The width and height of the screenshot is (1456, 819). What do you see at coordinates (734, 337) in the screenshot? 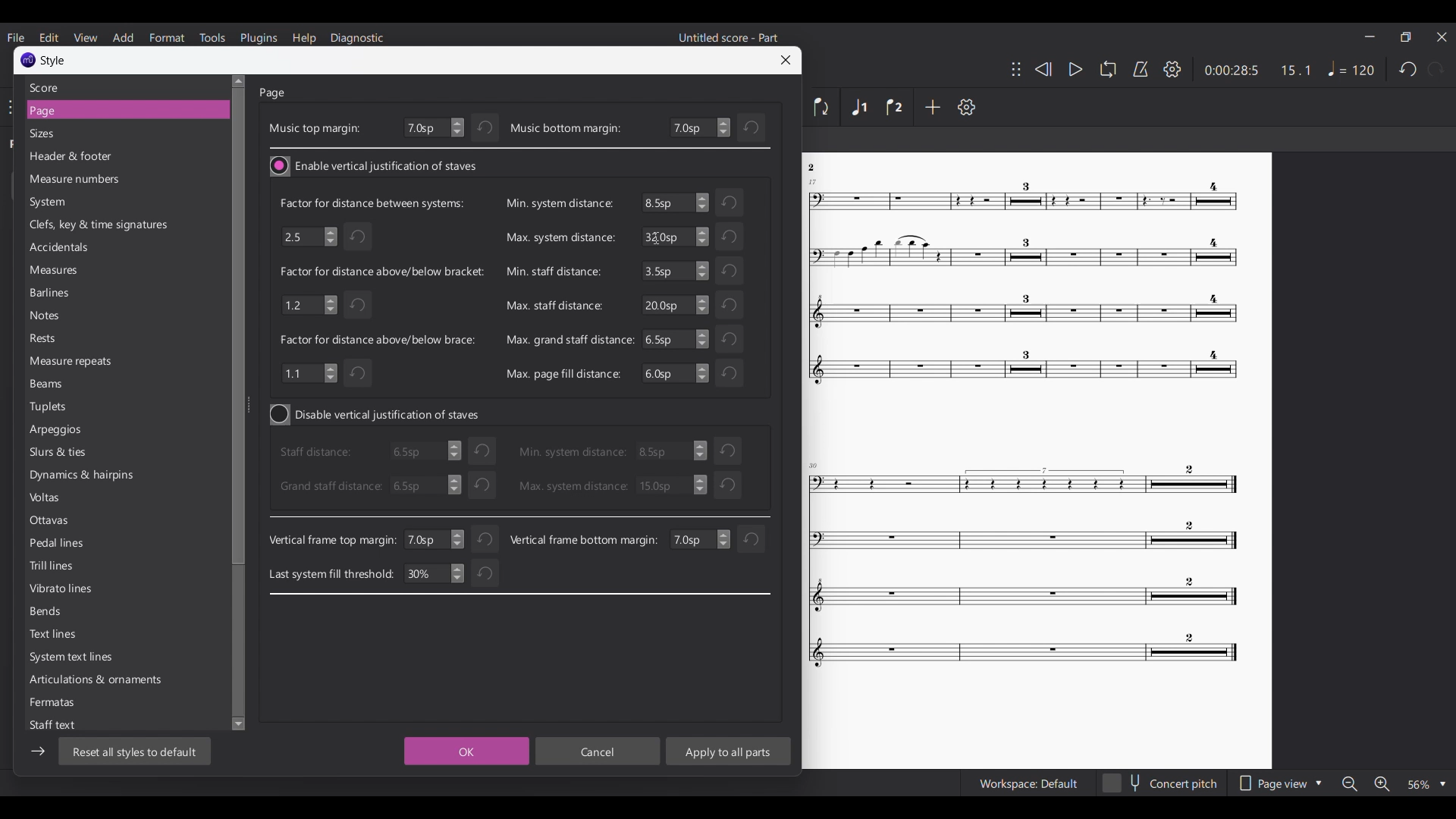
I see `` at bounding box center [734, 337].